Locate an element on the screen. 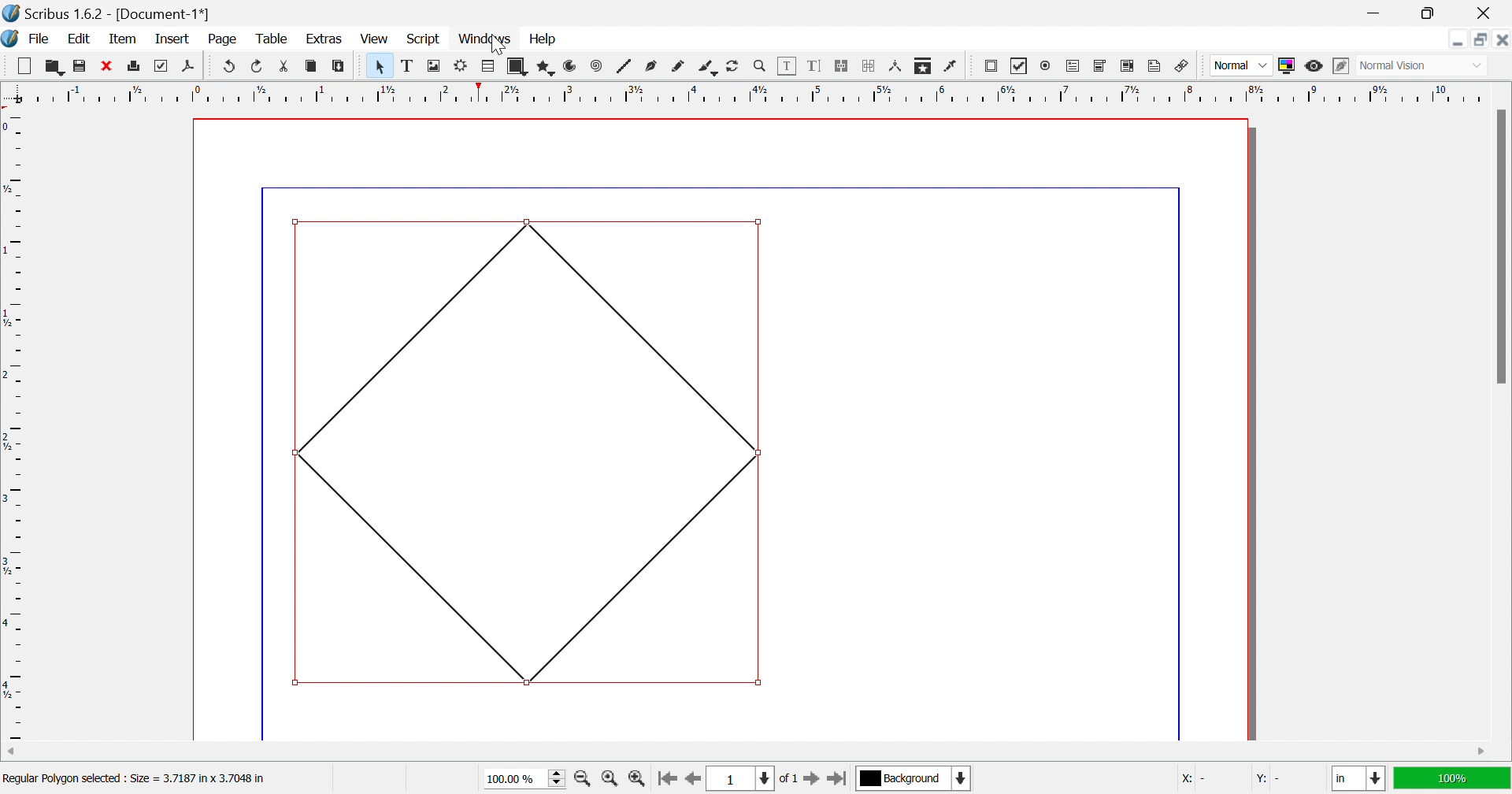 This screenshot has width=1512, height=794. Table is located at coordinates (489, 67).